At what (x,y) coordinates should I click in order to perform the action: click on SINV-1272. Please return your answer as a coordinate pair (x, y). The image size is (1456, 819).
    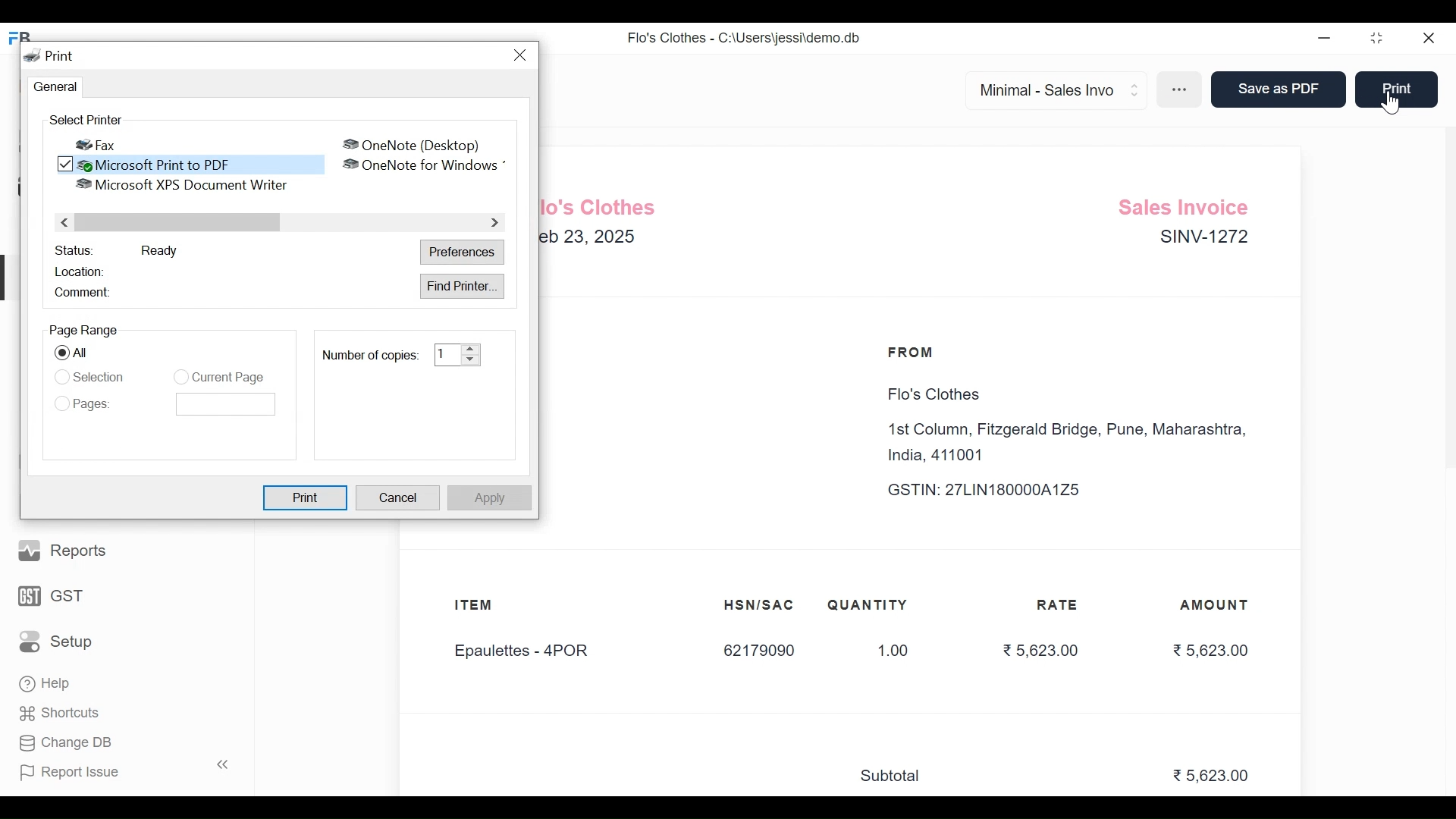
    Looking at the image, I should click on (1202, 240).